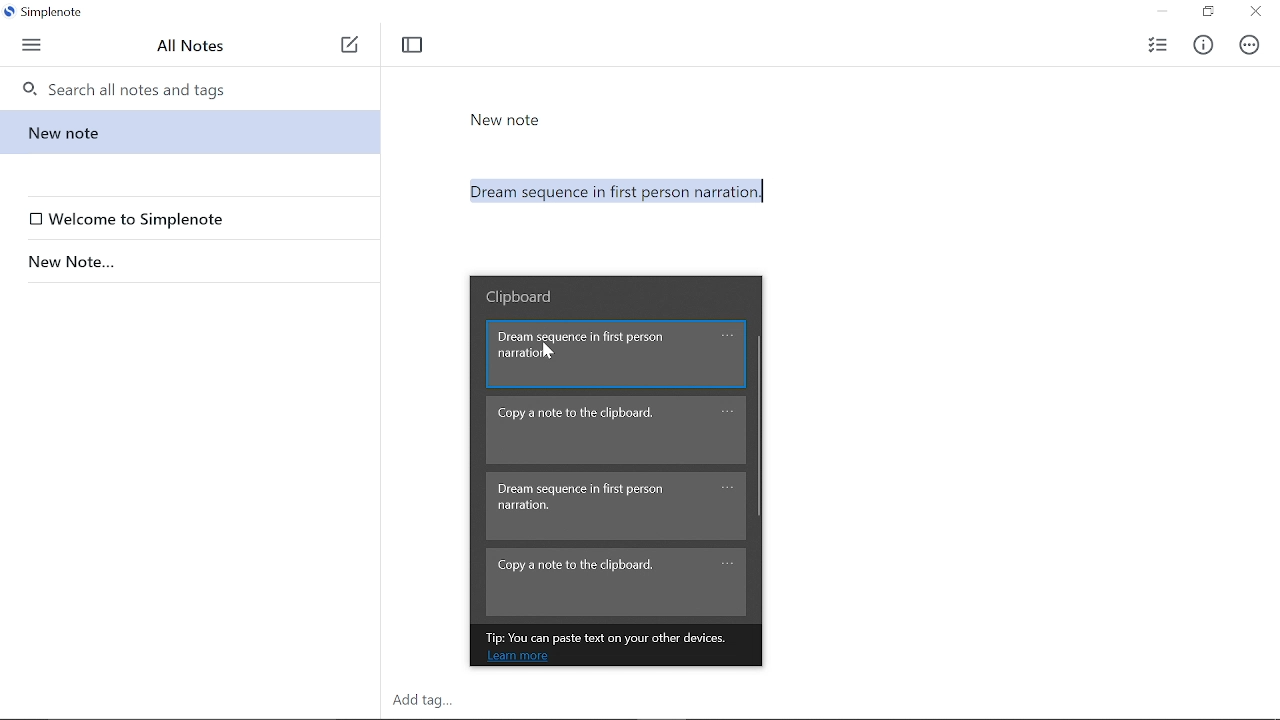 The image size is (1280, 720). Describe the element at coordinates (518, 657) in the screenshot. I see `learn more` at that location.